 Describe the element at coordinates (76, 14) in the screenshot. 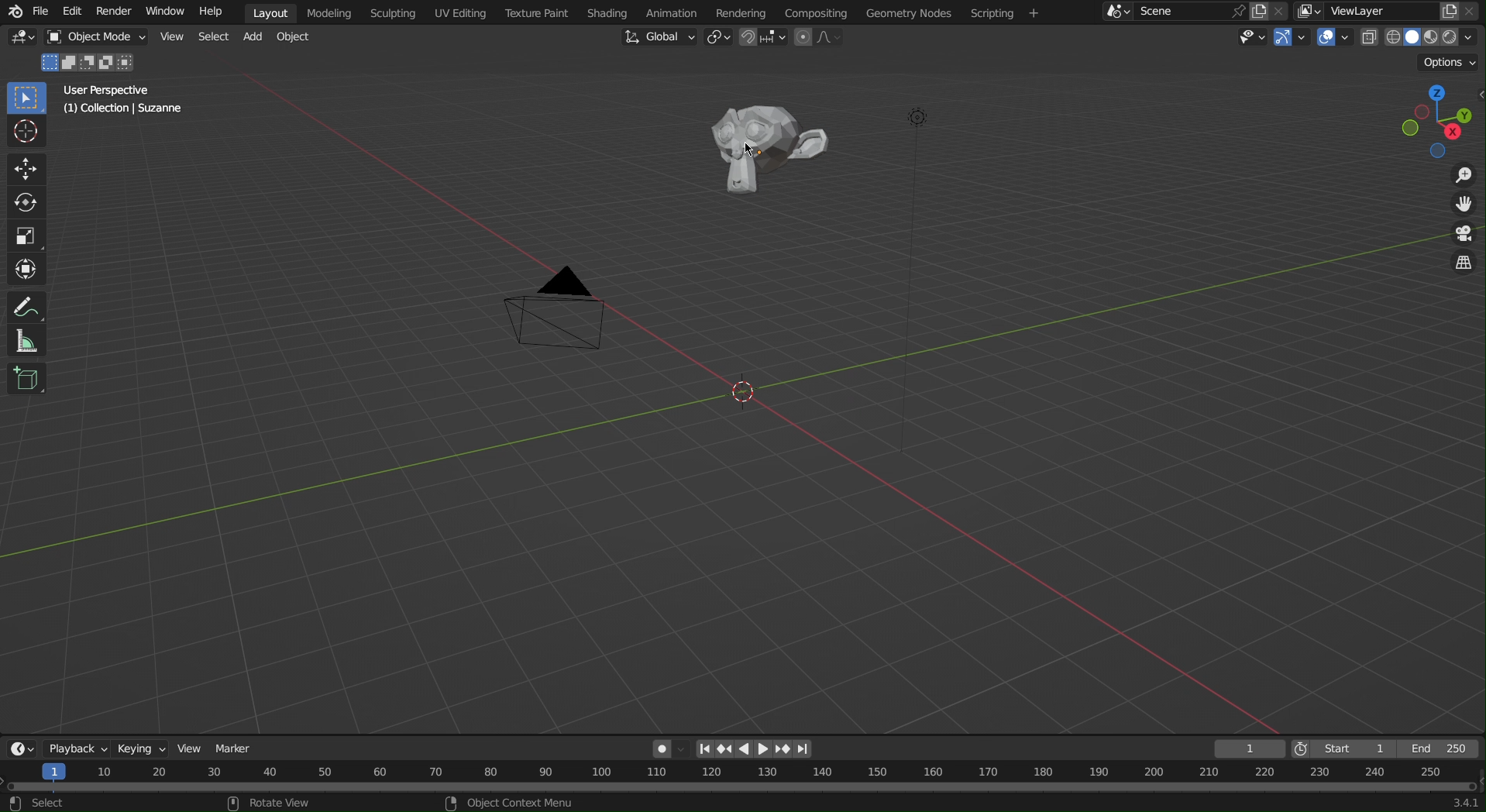

I see `Edit` at that location.